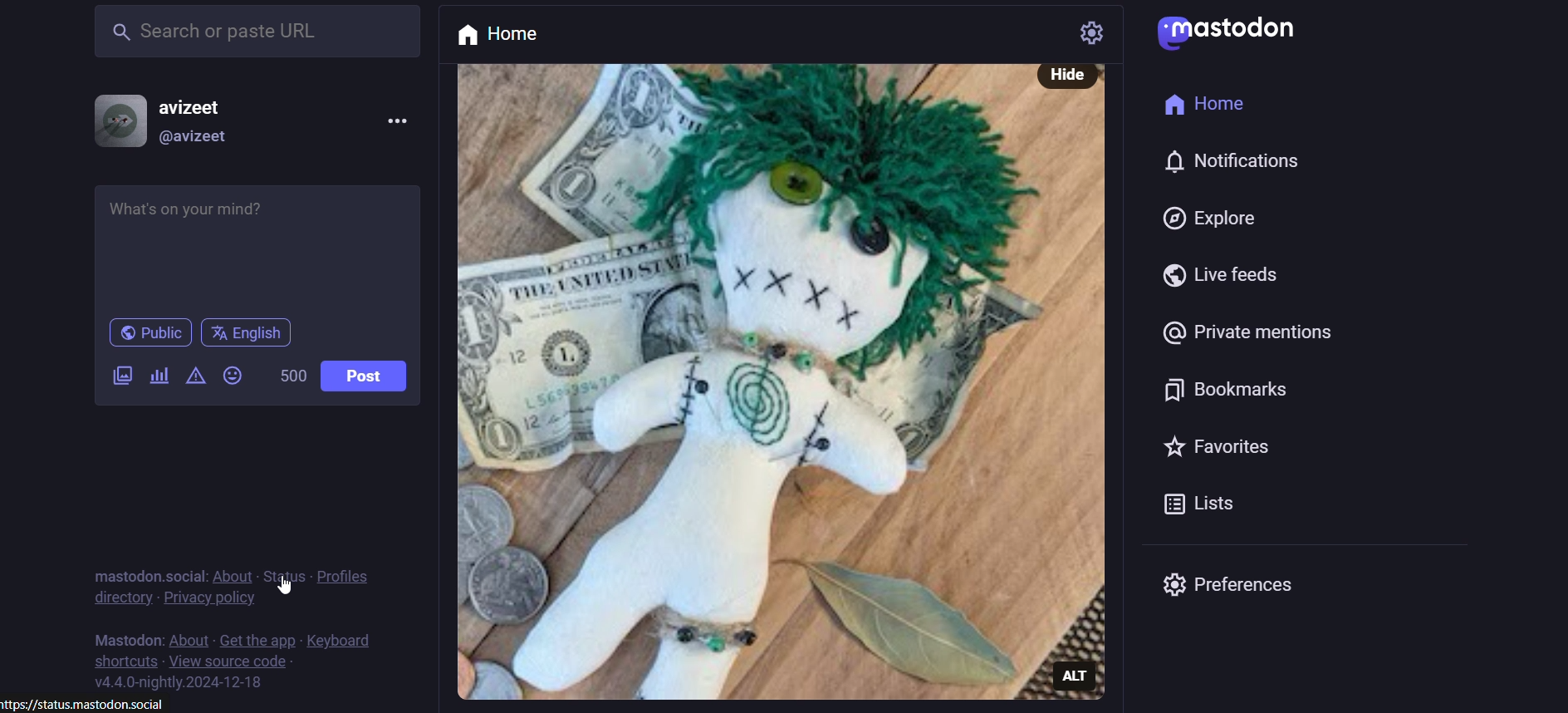  What do you see at coordinates (1227, 393) in the screenshot?
I see `bookmarks` at bounding box center [1227, 393].